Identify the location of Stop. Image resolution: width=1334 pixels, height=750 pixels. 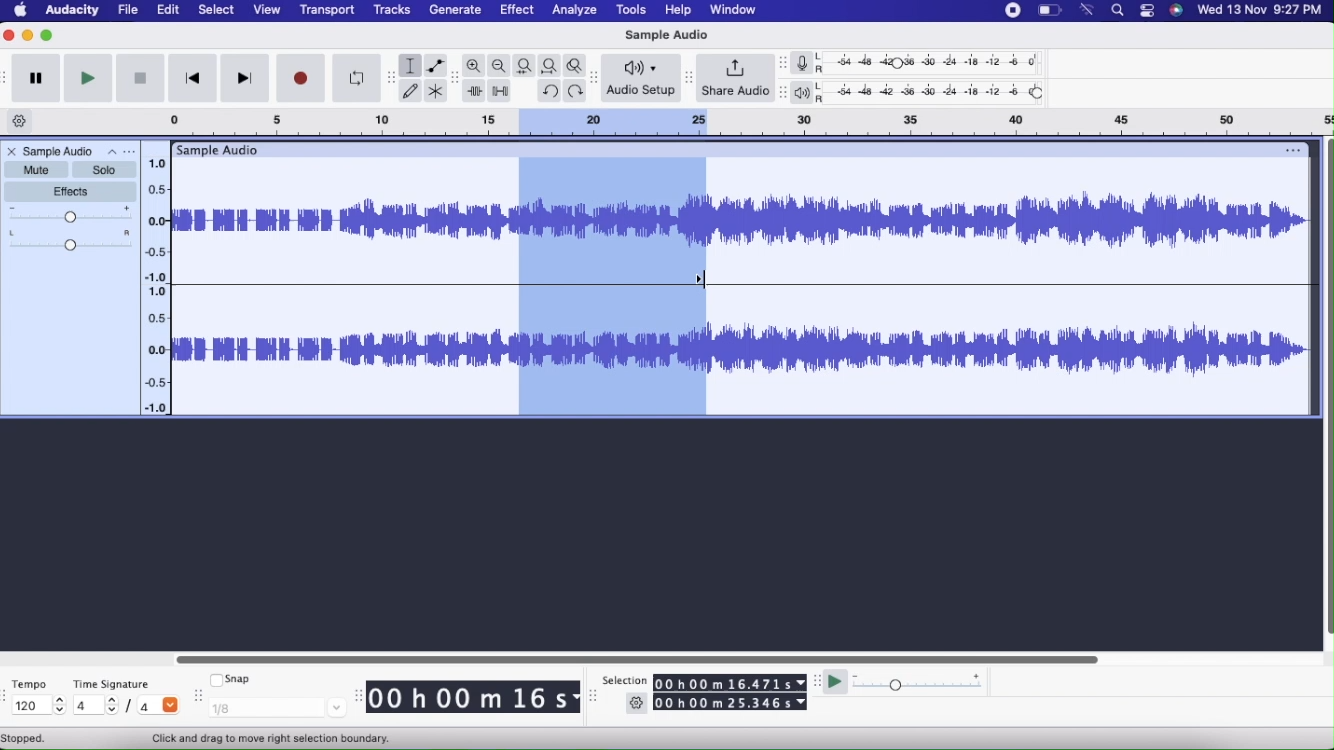
(140, 80).